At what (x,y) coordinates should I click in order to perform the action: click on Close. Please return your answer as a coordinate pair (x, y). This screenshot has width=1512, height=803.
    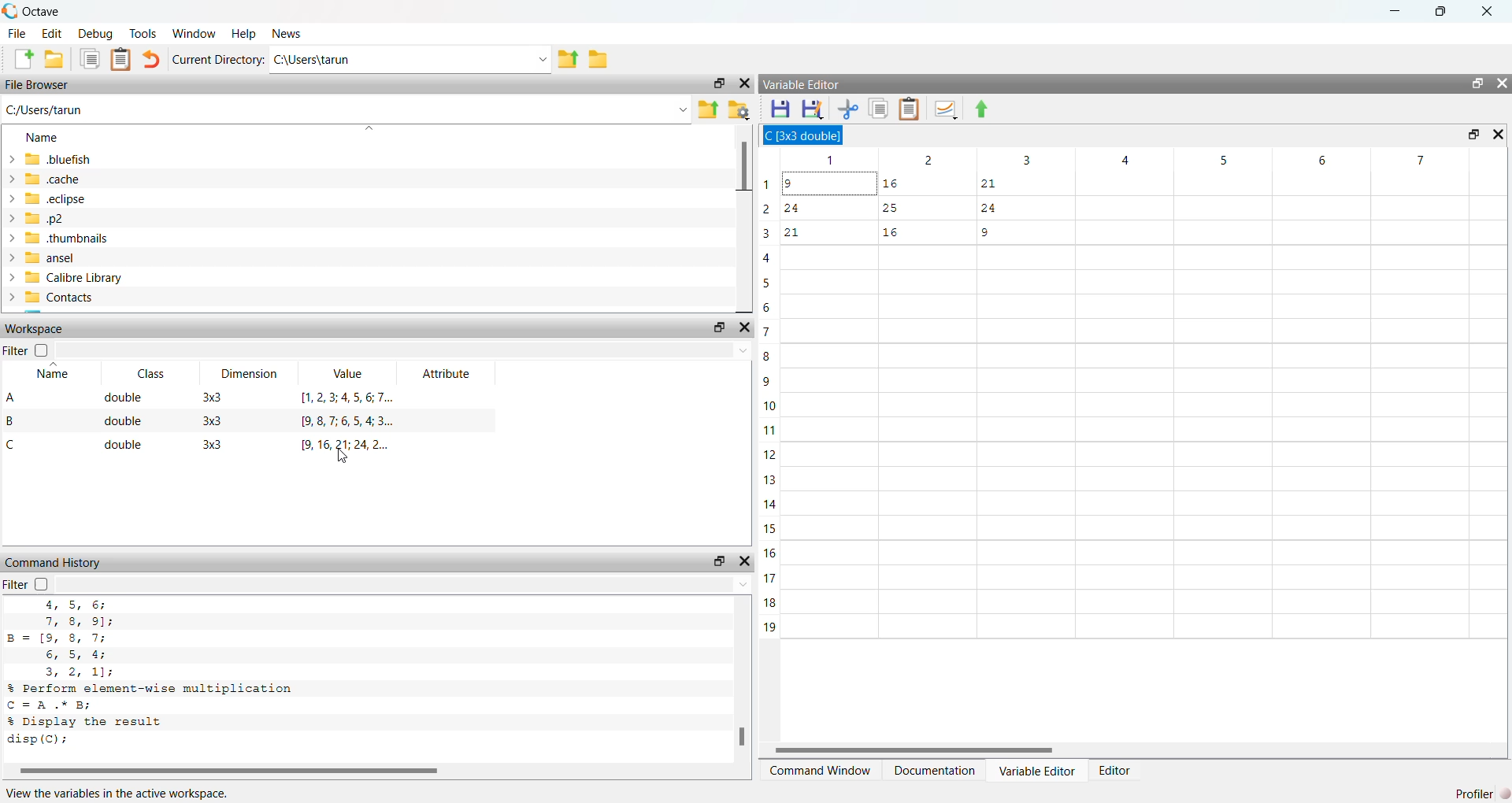
    Looking at the image, I should click on (743, 562).